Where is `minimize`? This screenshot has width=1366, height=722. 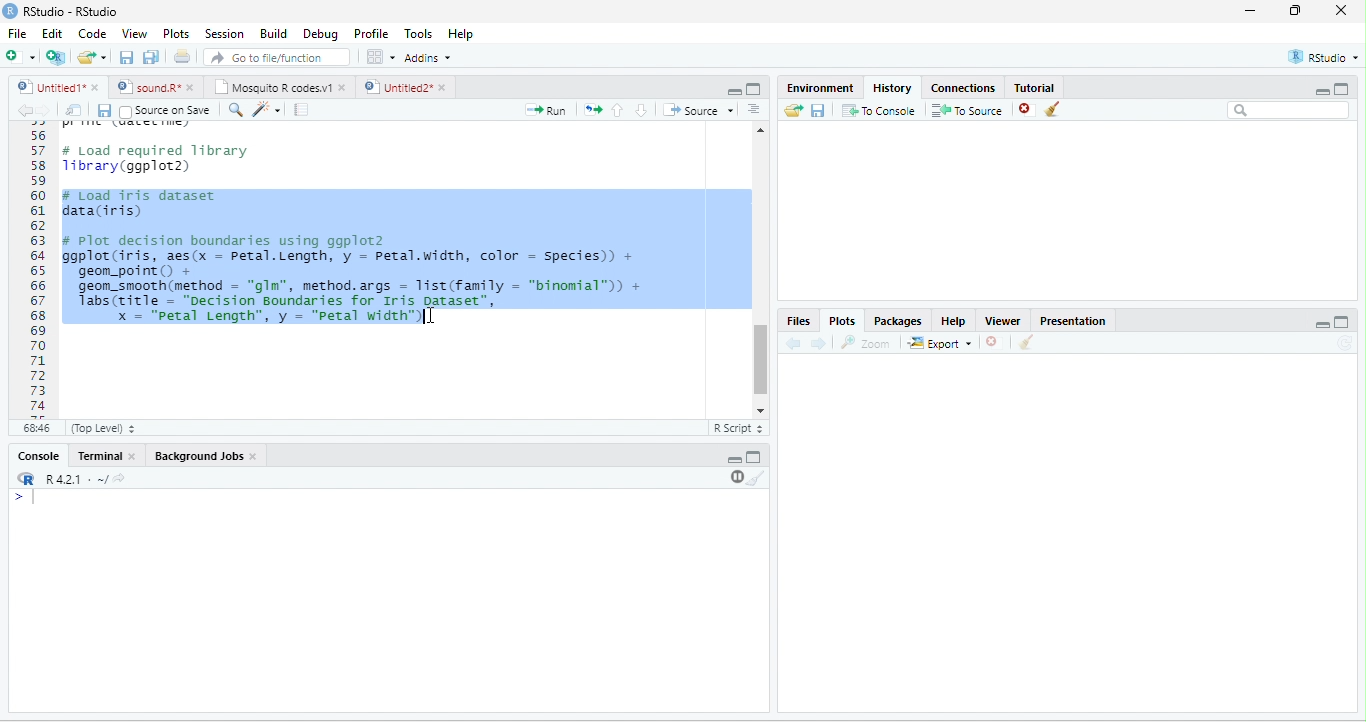
minimize is located at coordinates (735, 460).